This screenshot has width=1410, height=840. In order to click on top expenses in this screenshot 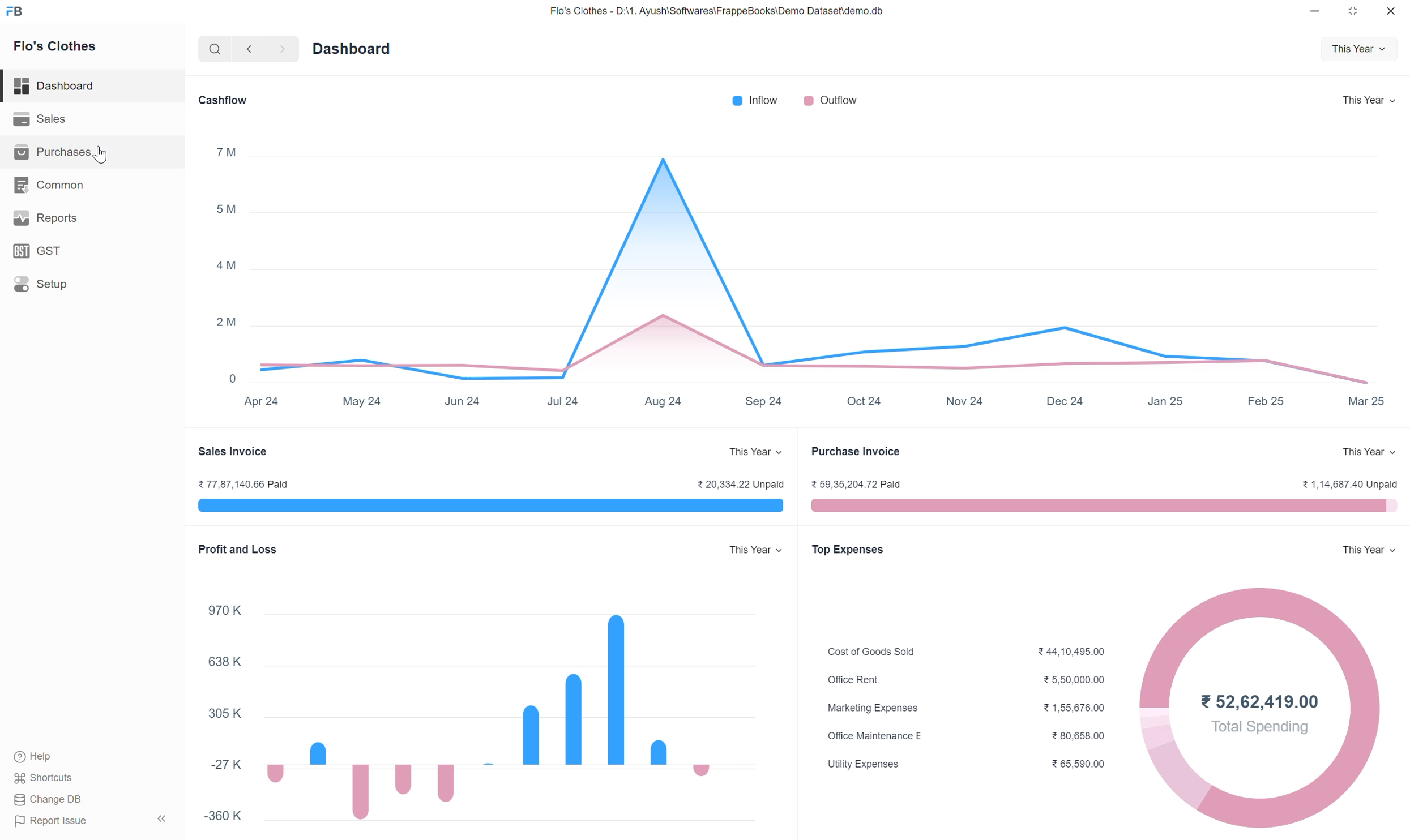, I will do `click(851, 551)`.